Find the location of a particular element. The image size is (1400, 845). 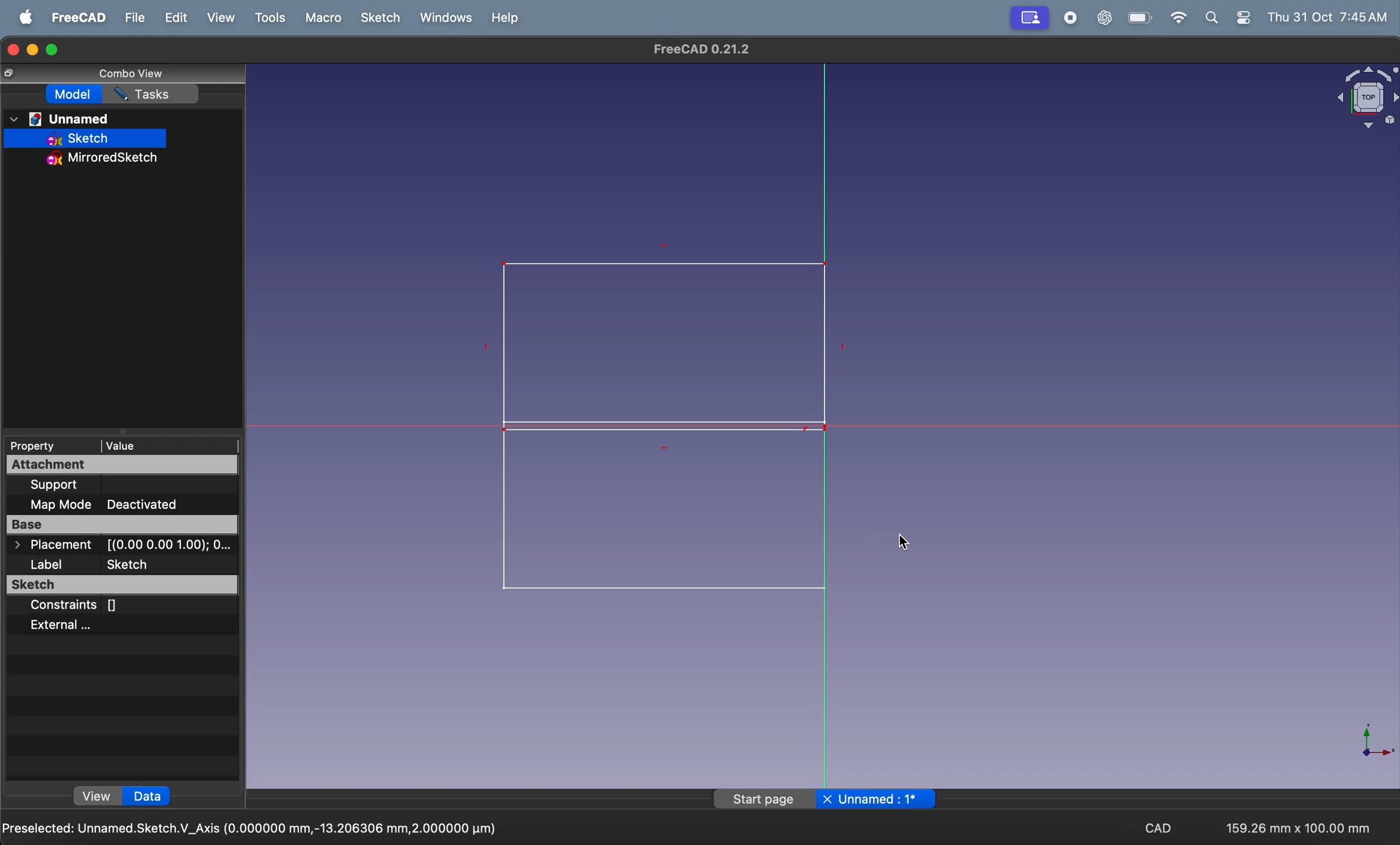

combo view is located at coordinates (131, 73).